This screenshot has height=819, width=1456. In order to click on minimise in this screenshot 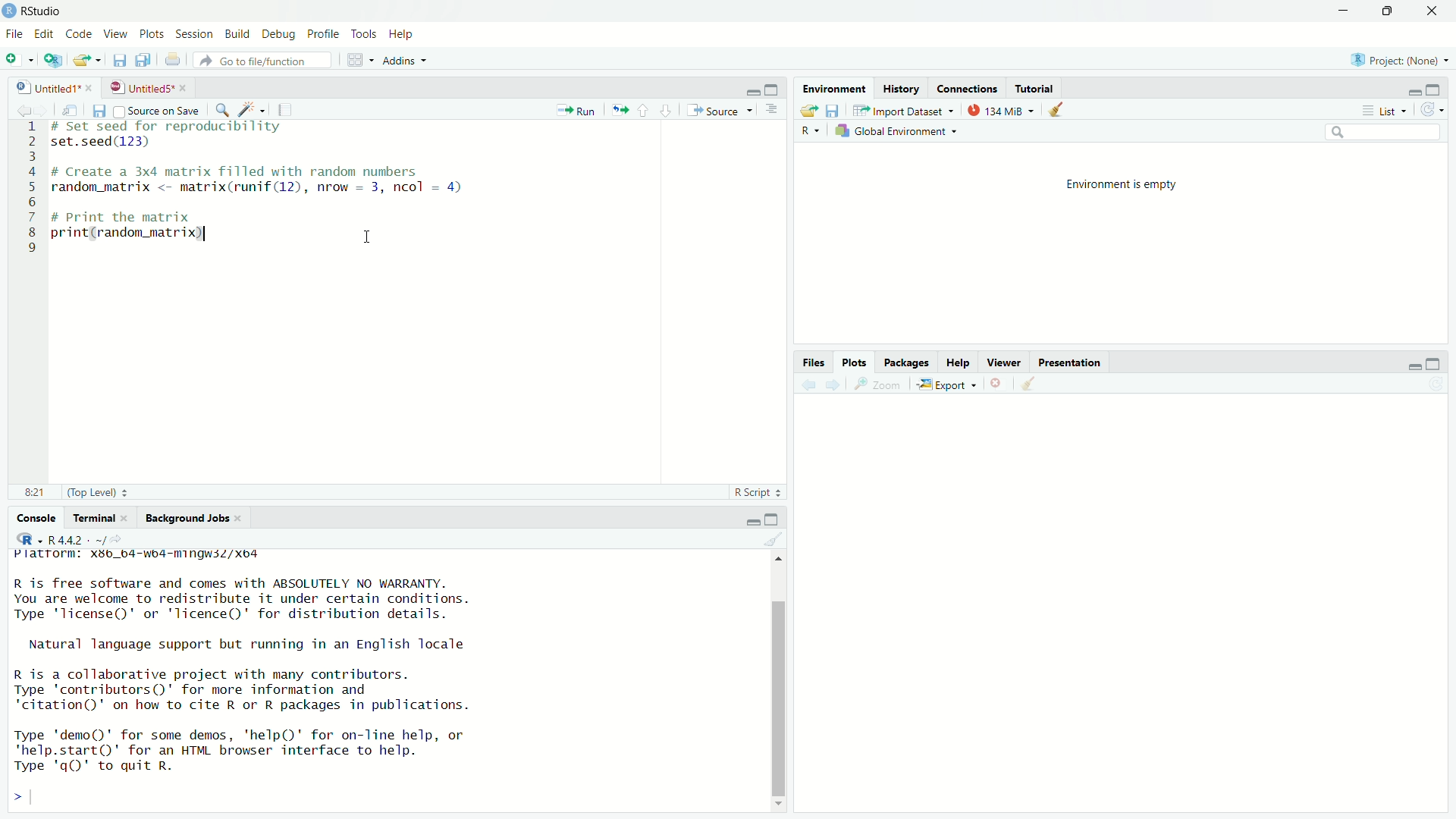, I will do `click(1410, 91)`.